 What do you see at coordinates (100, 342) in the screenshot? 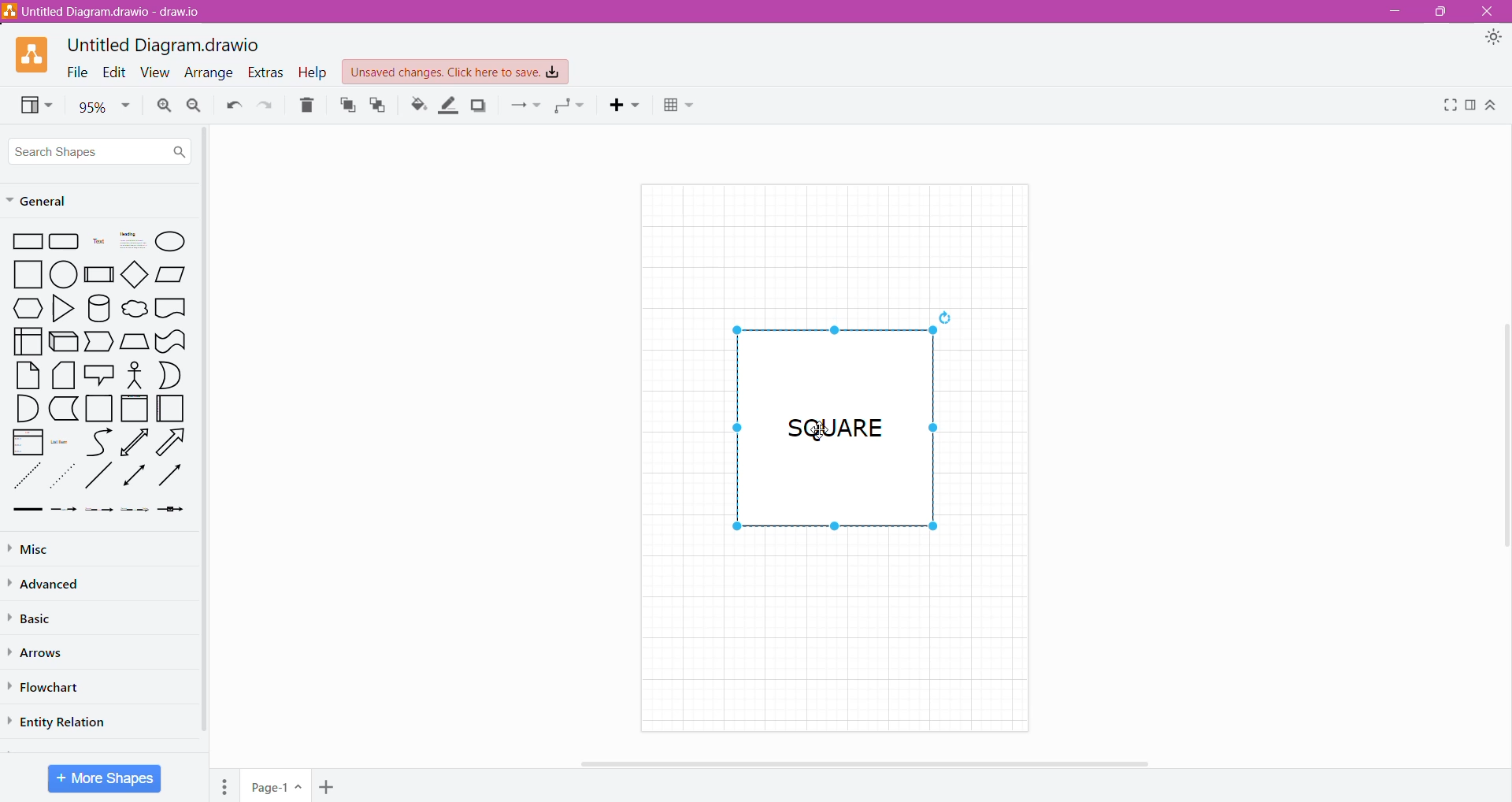
I see `Trapezoid ` at bounding box center [100, 342].